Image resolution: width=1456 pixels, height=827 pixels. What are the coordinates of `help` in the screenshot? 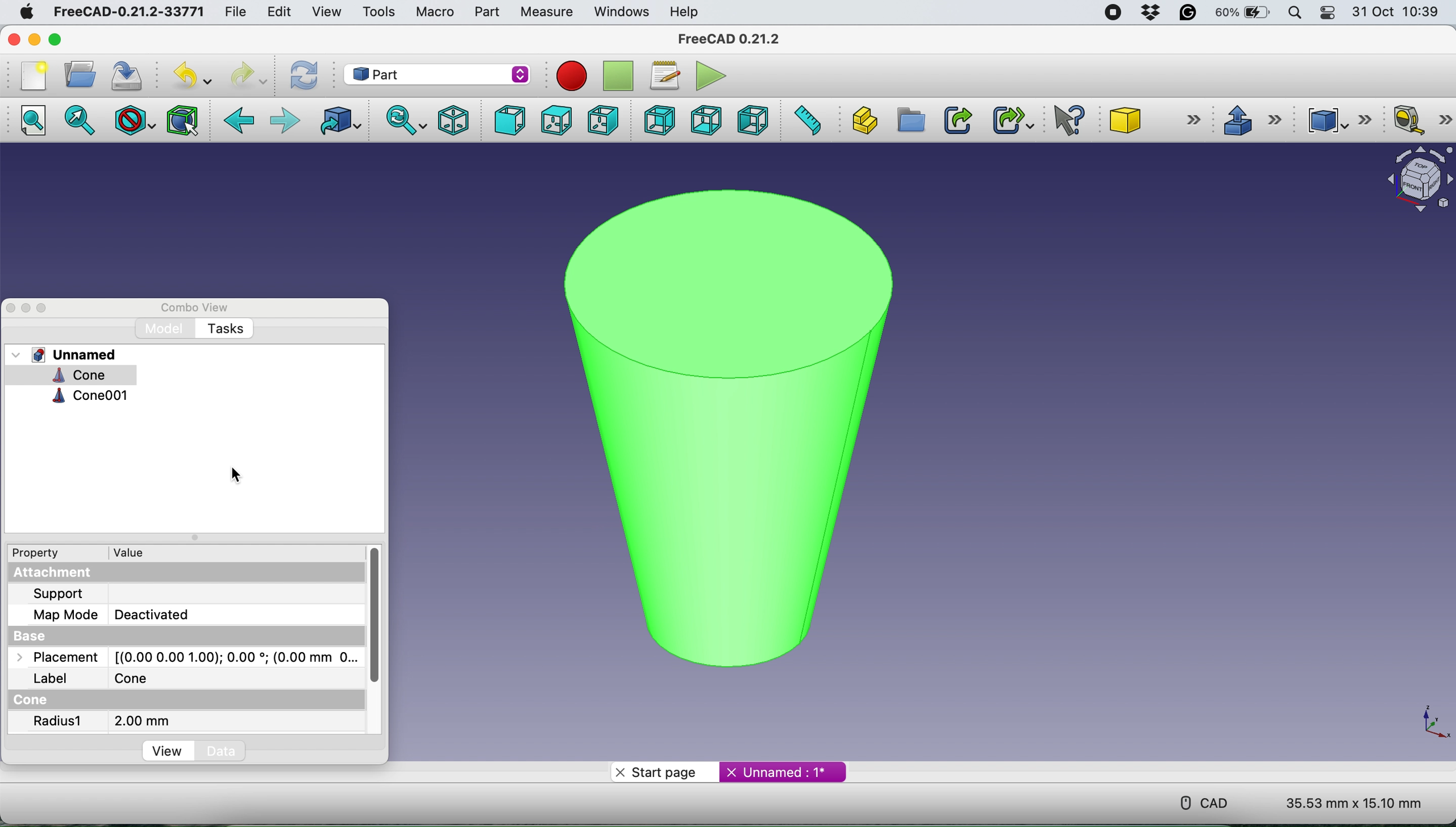 It's located at (685, 11).